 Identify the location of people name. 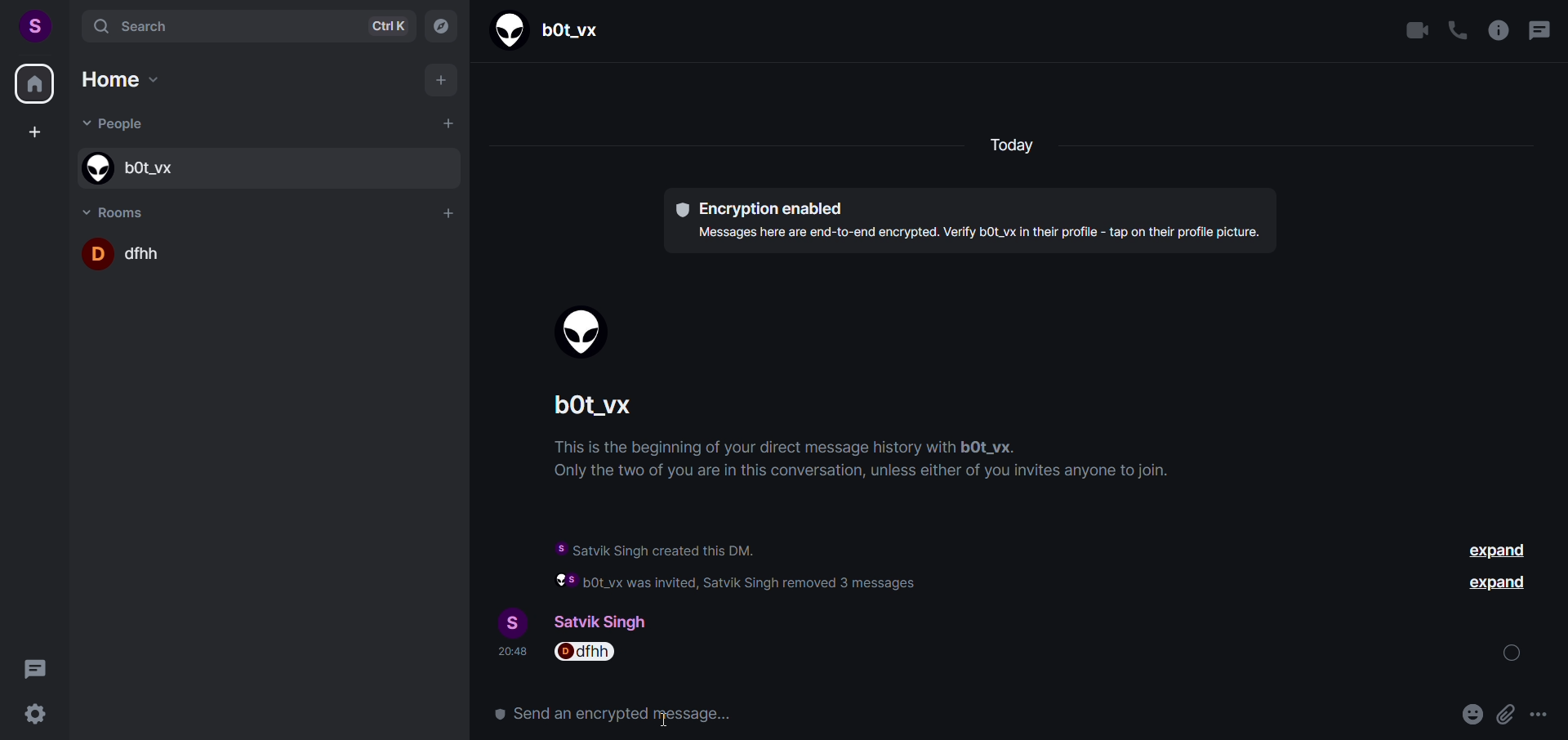
(607, 408).